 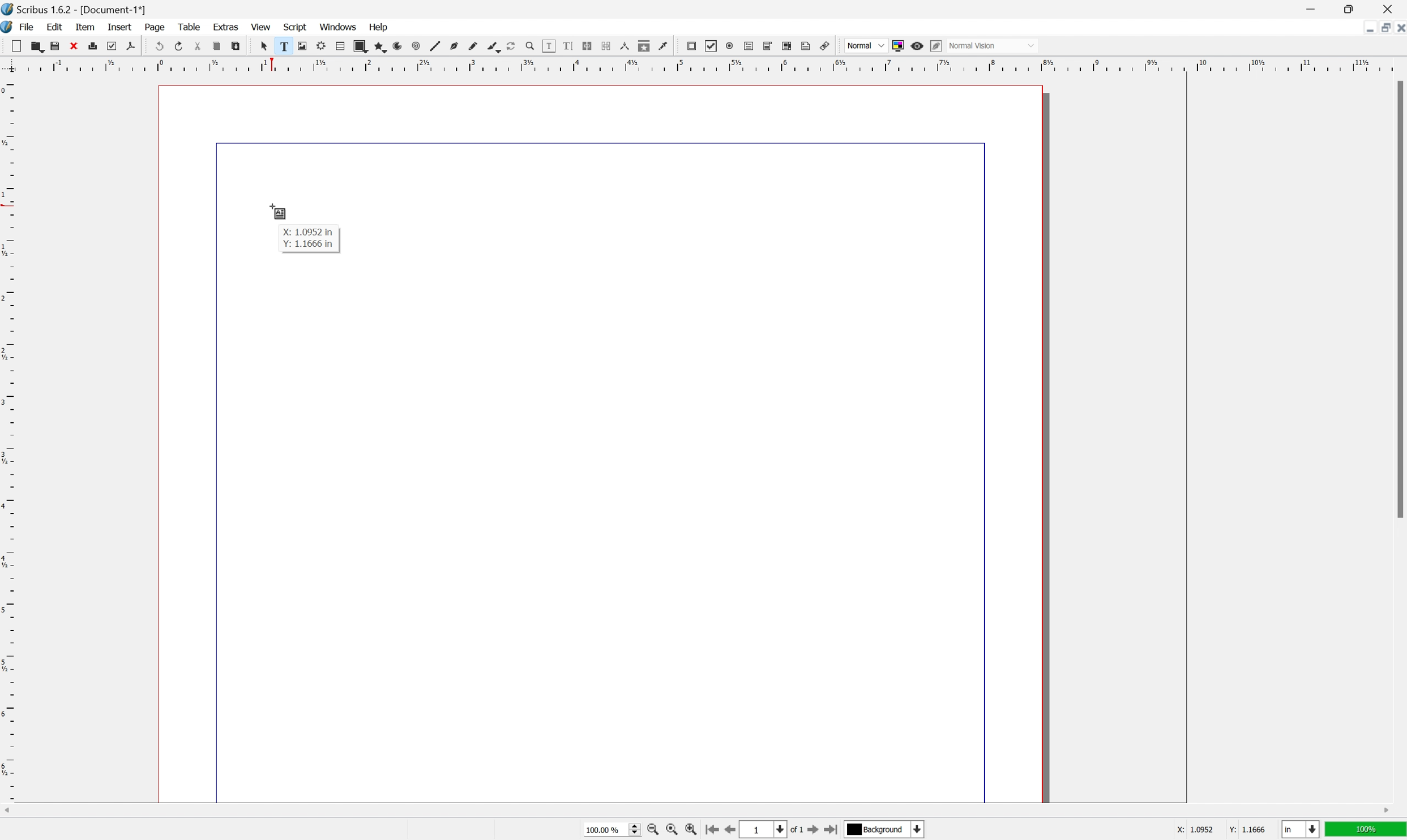 I want to click on select current zoom level, so click(x=613, y=832).